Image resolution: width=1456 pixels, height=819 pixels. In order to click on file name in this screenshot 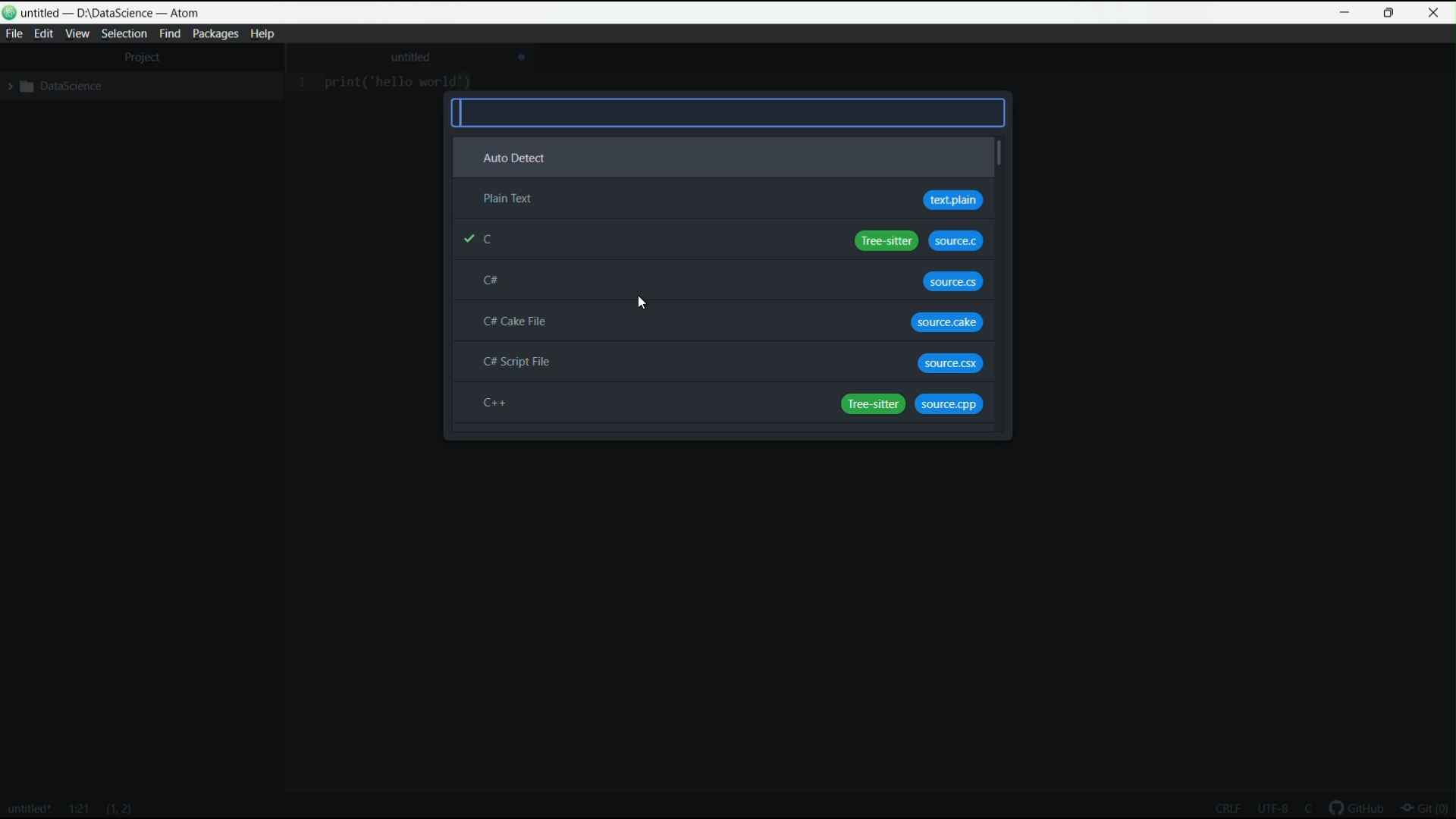, I will do `click(29, 811)`.